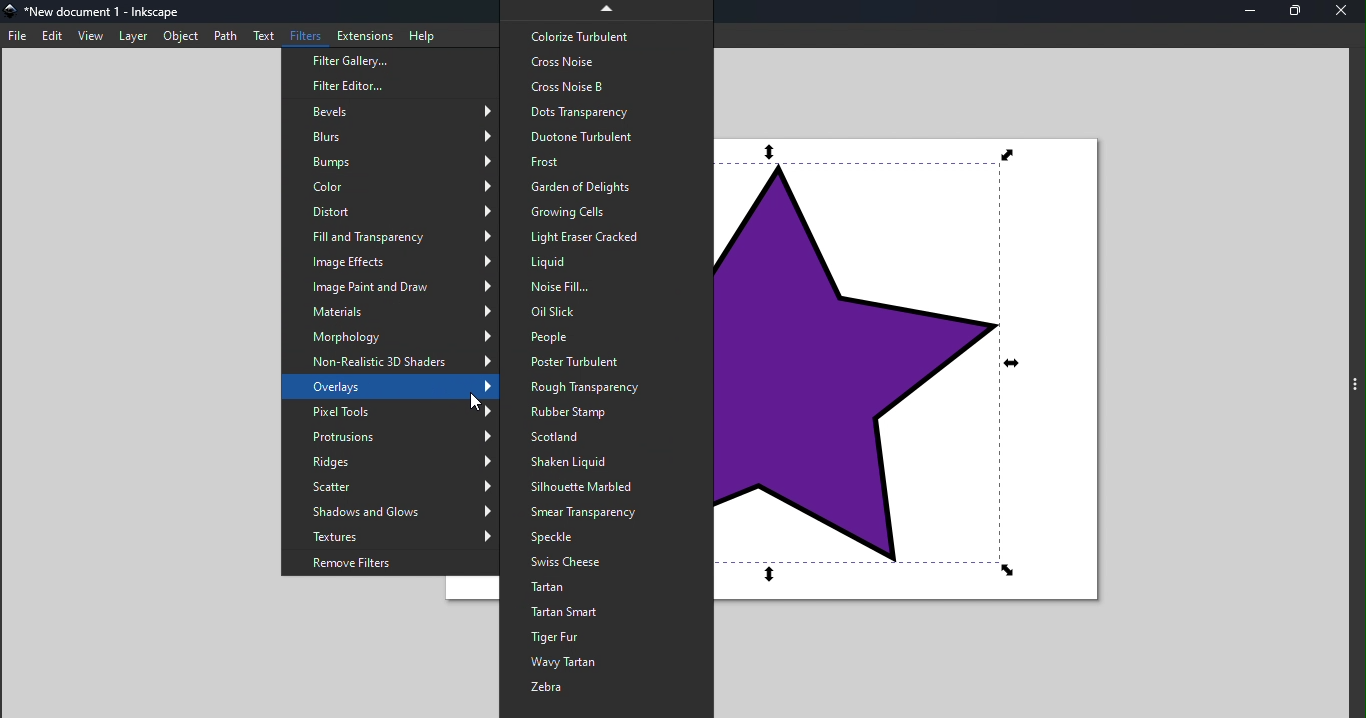 Image resolution: width=1366 pixels, height=718 pixels. Describe the element at coordinates (387, 137) in the screenshot. I see `Blurs` at that location.